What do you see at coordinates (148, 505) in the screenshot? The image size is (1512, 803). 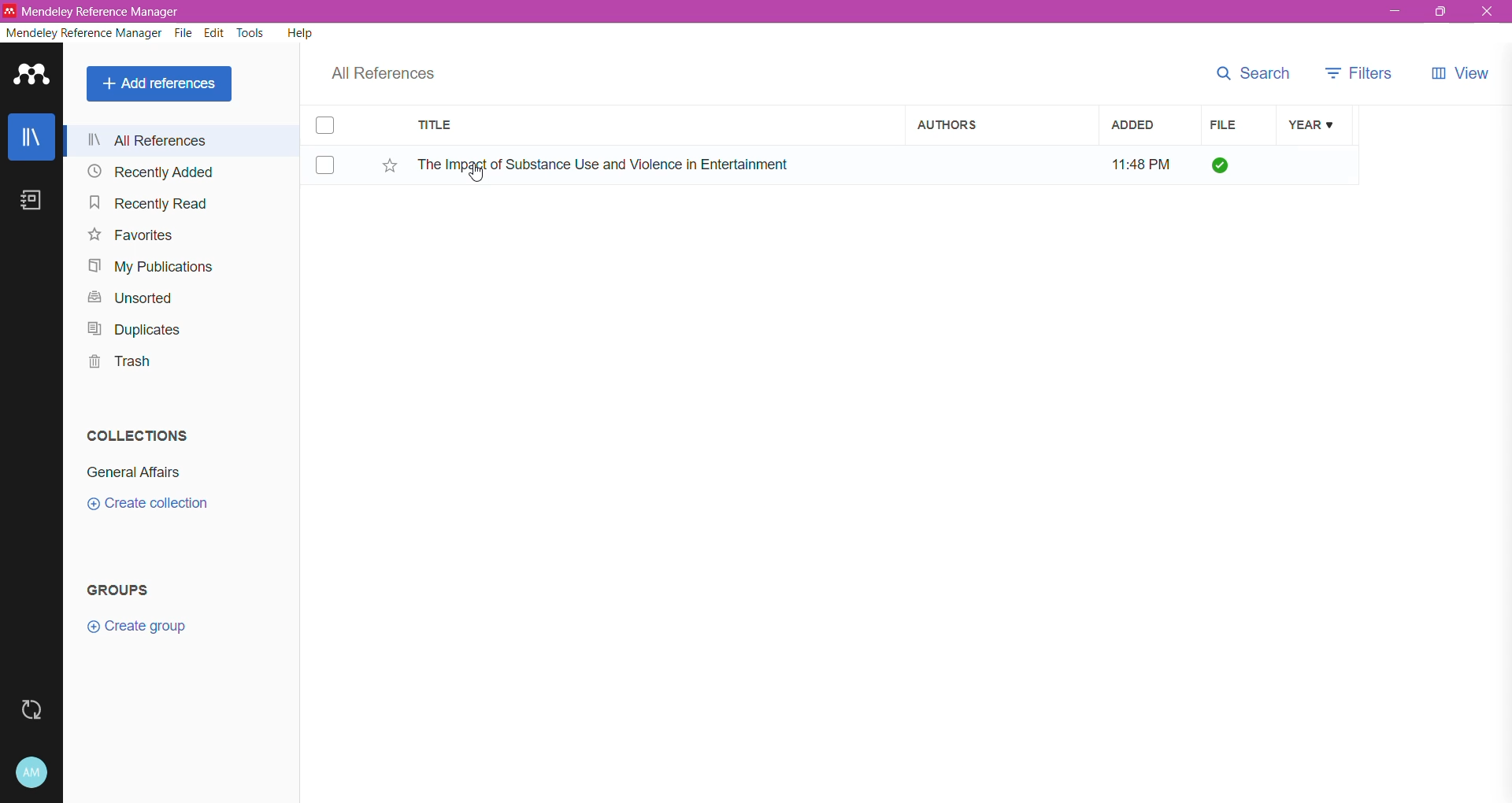 I see `Click to Create Collection` at bounding box center [148, 505].